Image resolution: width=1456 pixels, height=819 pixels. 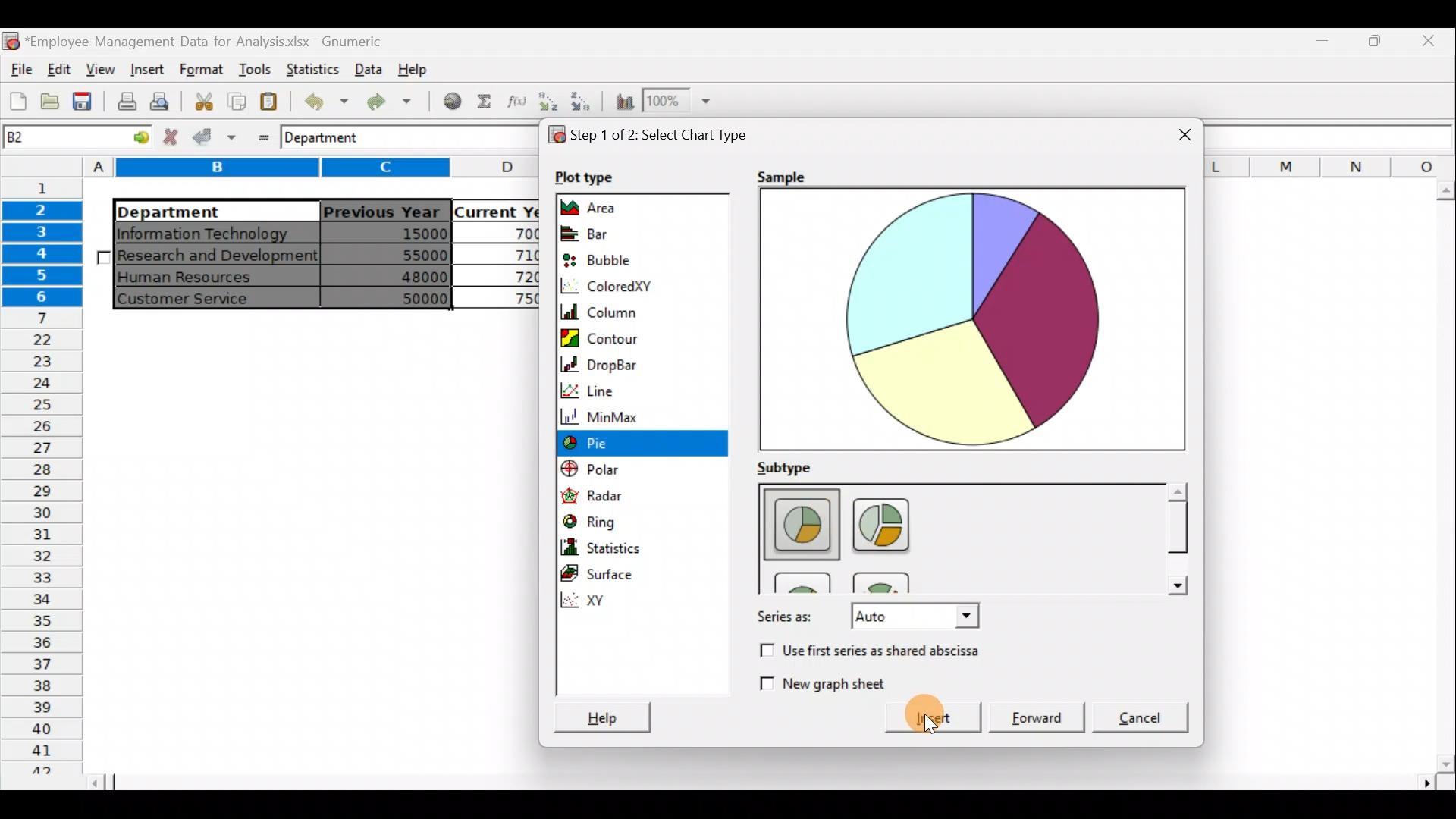 What do you see at coordinates (51, 139) in the screenshot?
I see `Cell name B2` at bounding box center [51, 139].